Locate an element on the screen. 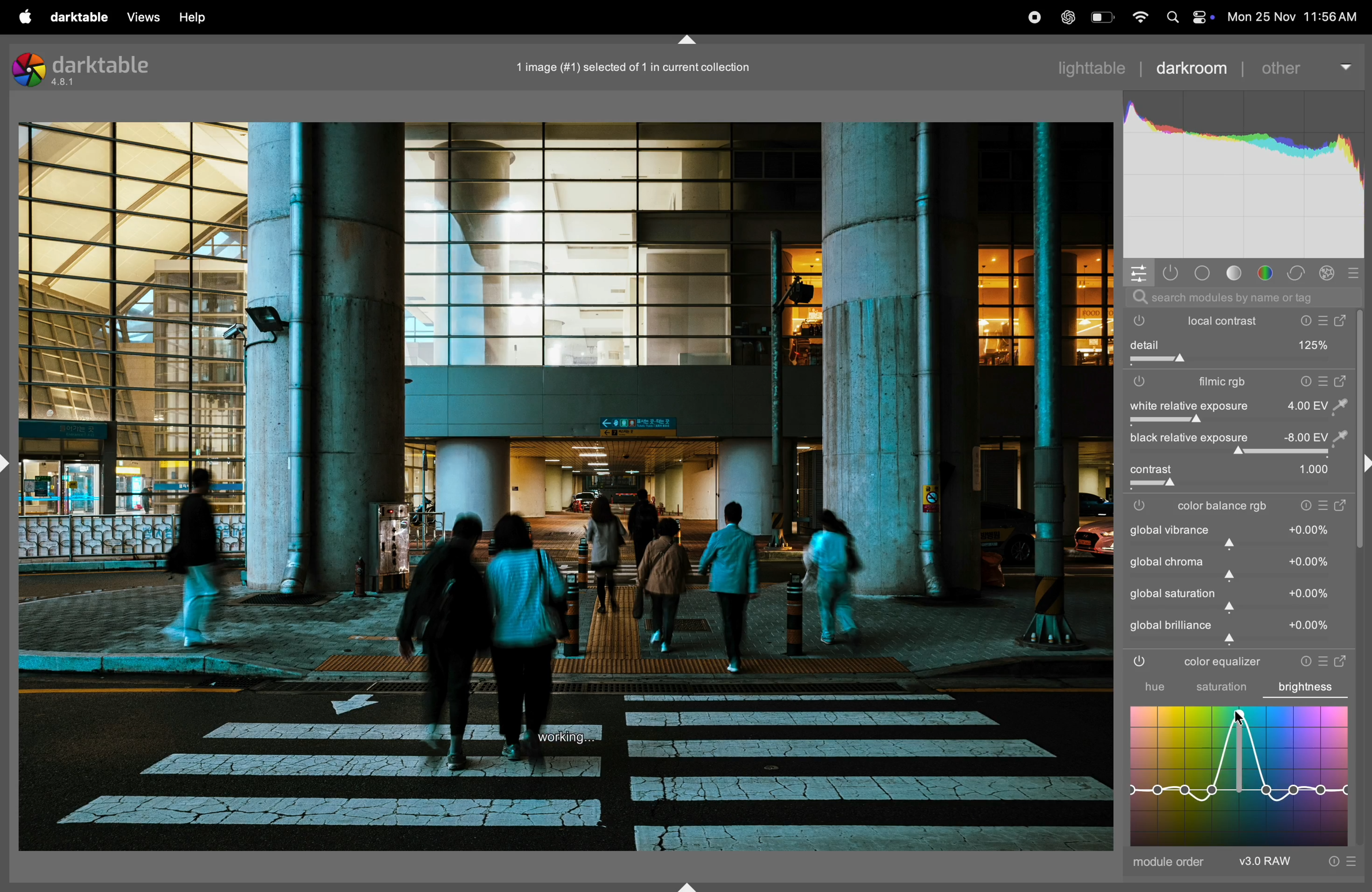 This screenshot has height=892, width=1372. Collapse or expand  is located at coordinates (688, 882).